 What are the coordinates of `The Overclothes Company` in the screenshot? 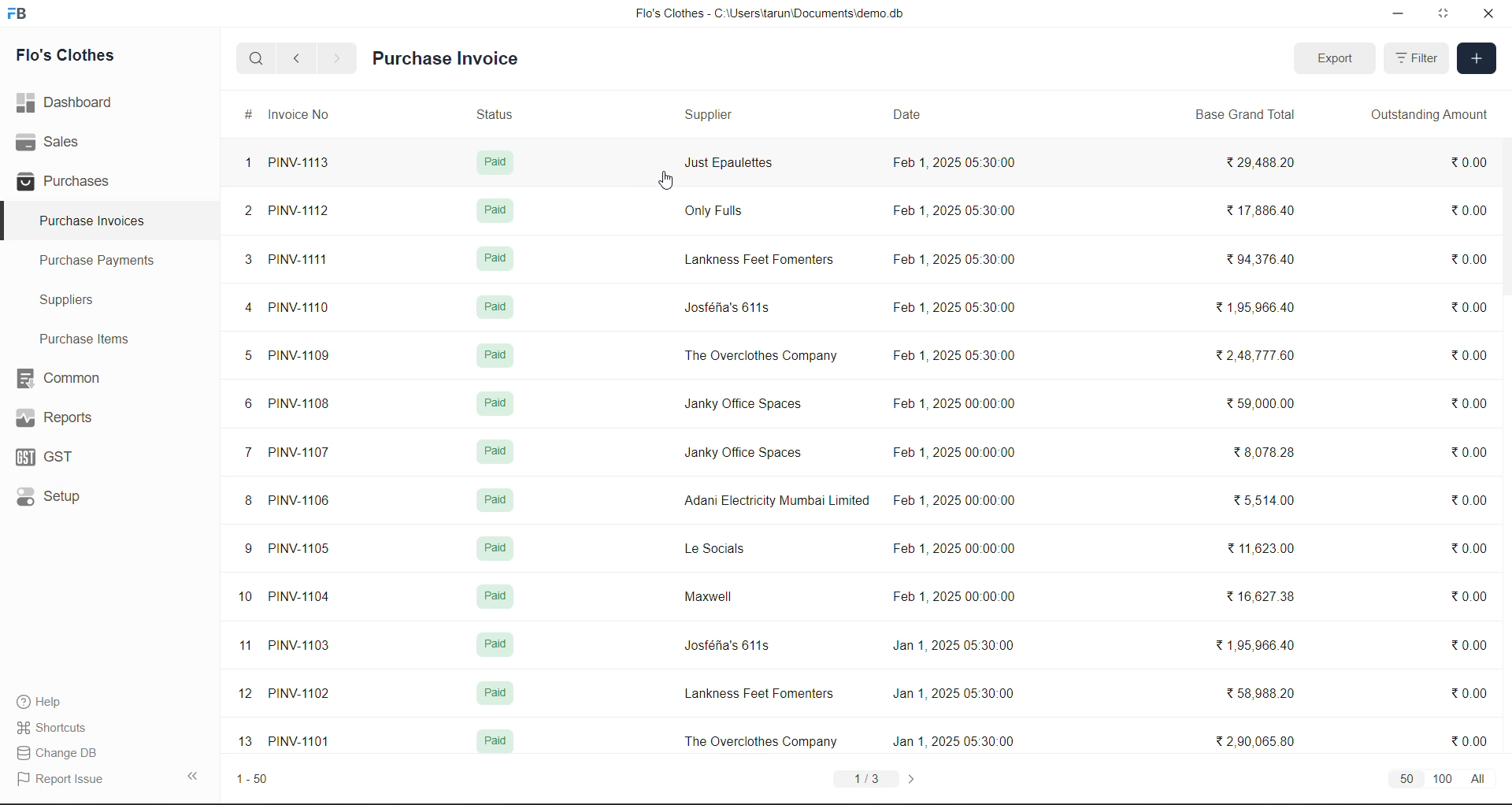 It's located at (758, 361).